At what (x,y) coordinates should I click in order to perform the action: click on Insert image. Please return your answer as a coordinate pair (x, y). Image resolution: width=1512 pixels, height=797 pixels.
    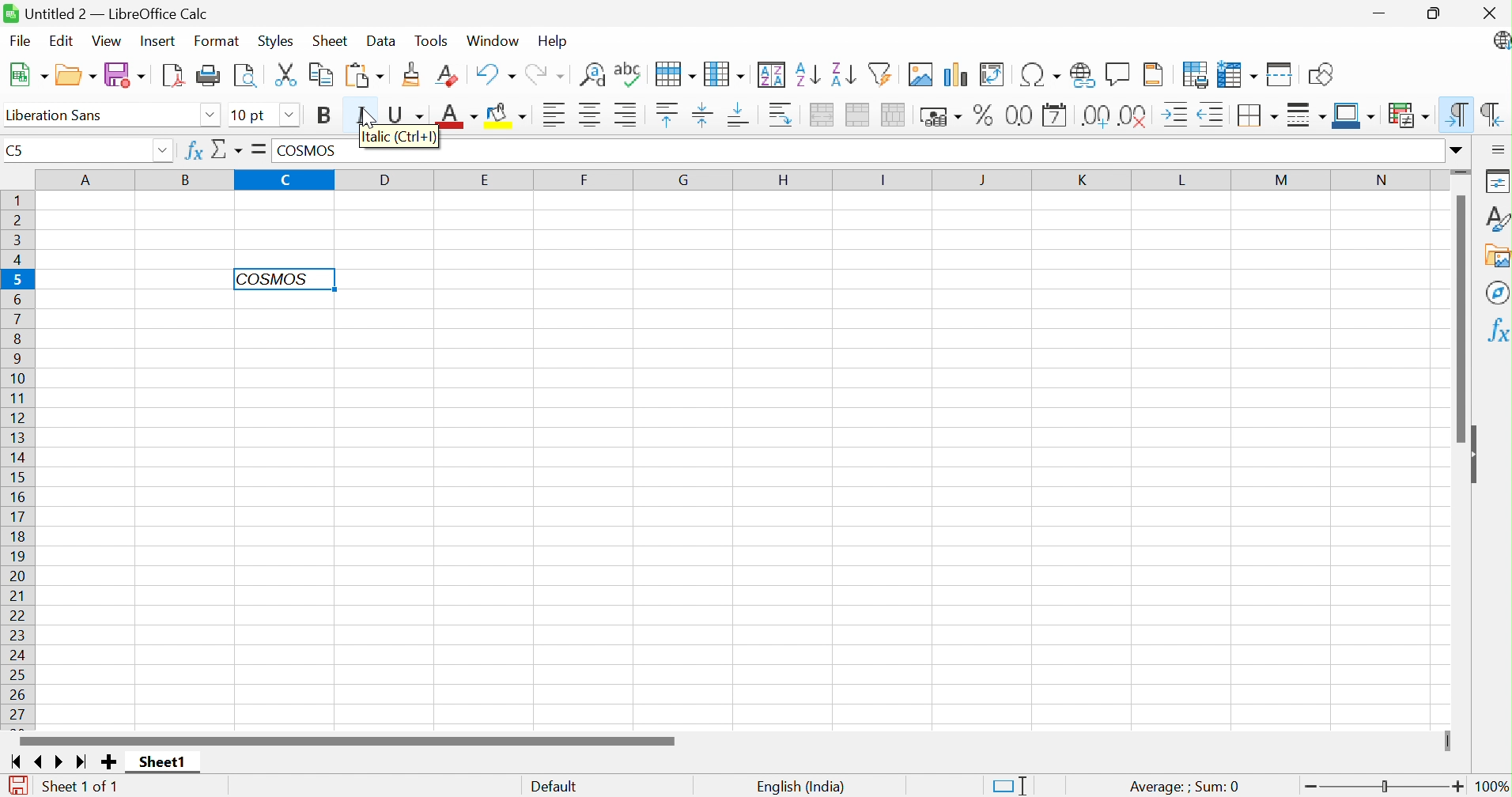
    Looking at the image, I should click on (920, 74).